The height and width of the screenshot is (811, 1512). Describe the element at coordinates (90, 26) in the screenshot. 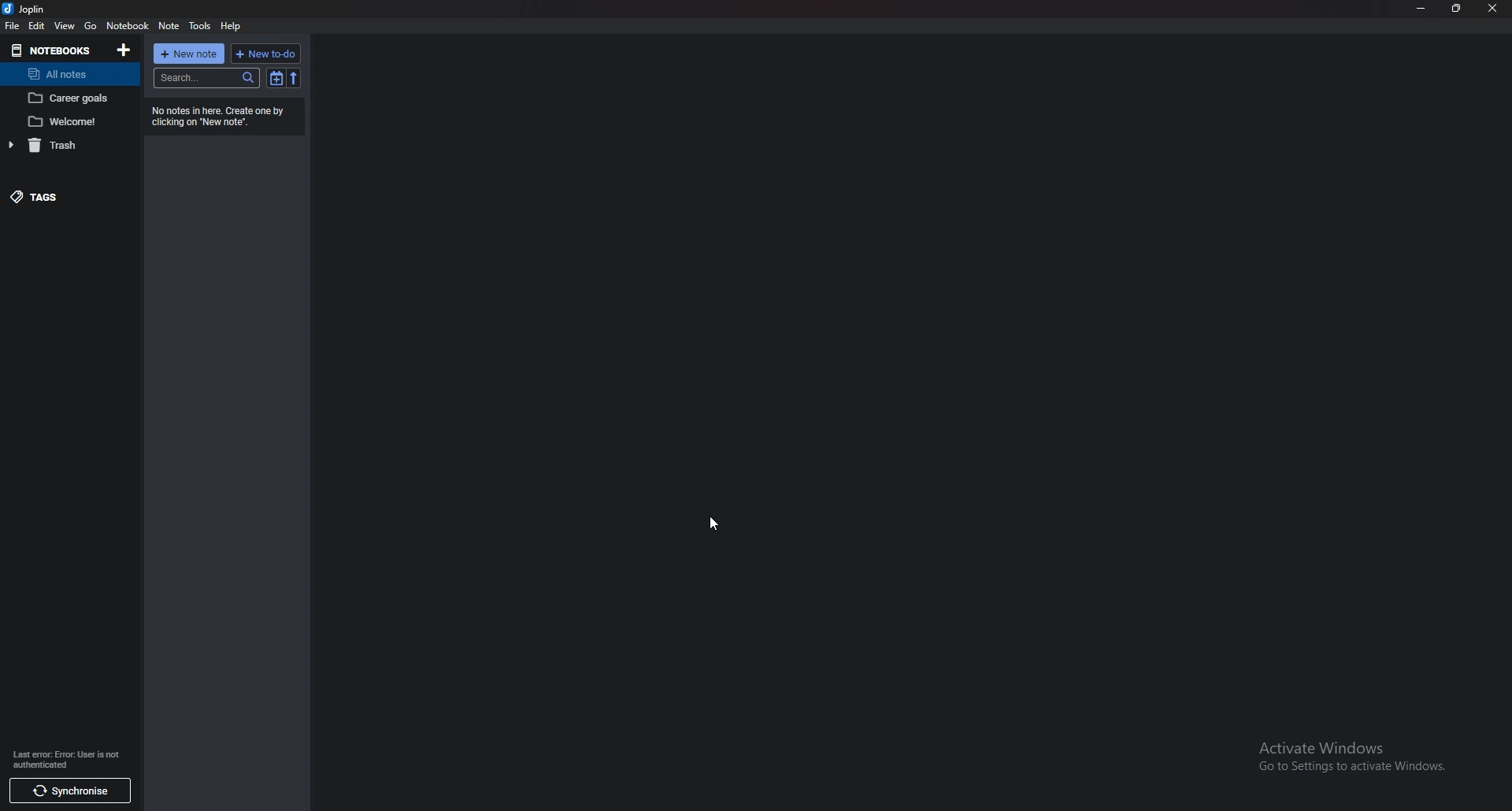

I see `go` at that location.